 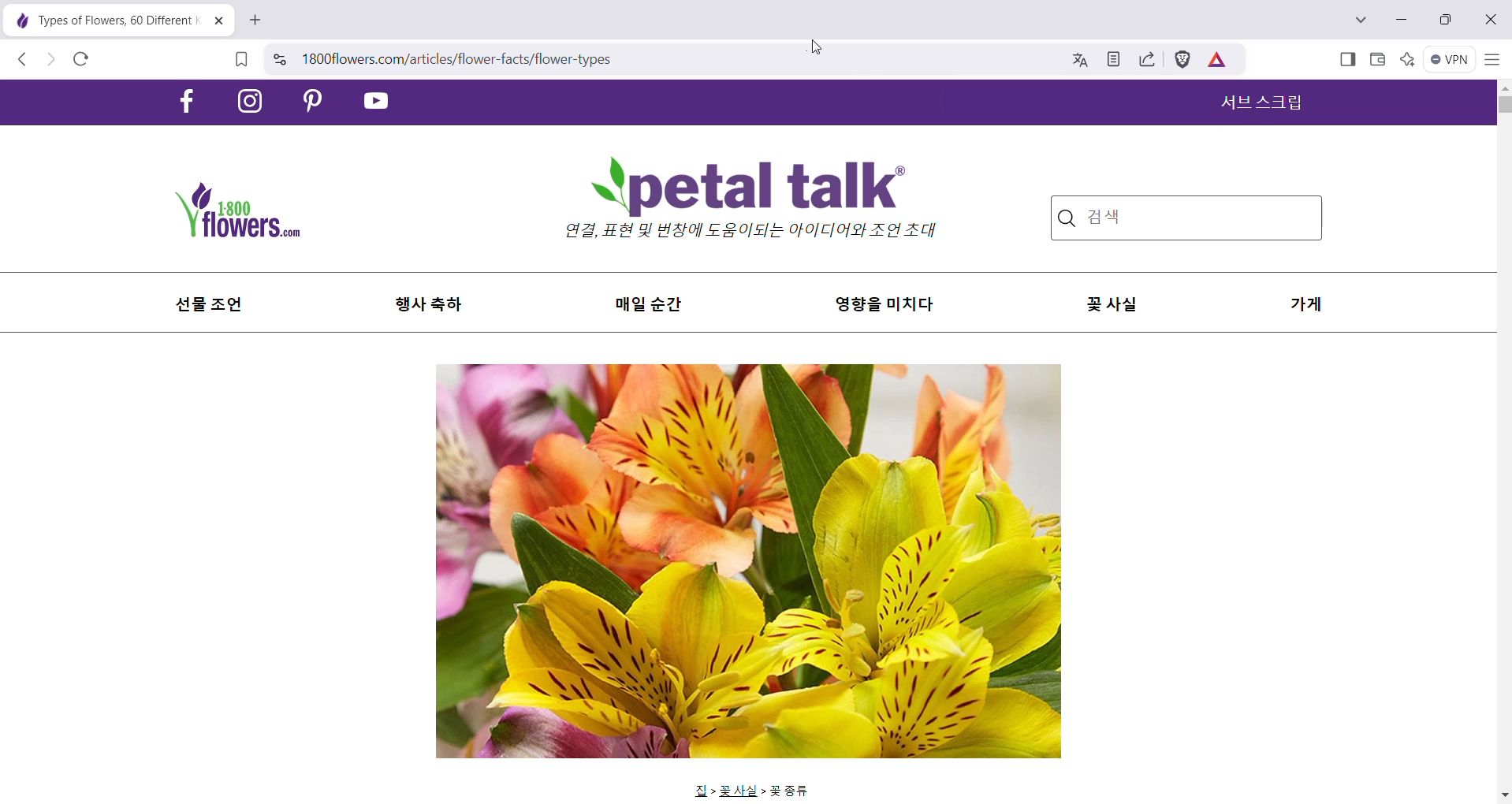 I want to click on Search tabs, so click(x=1360, y=21).